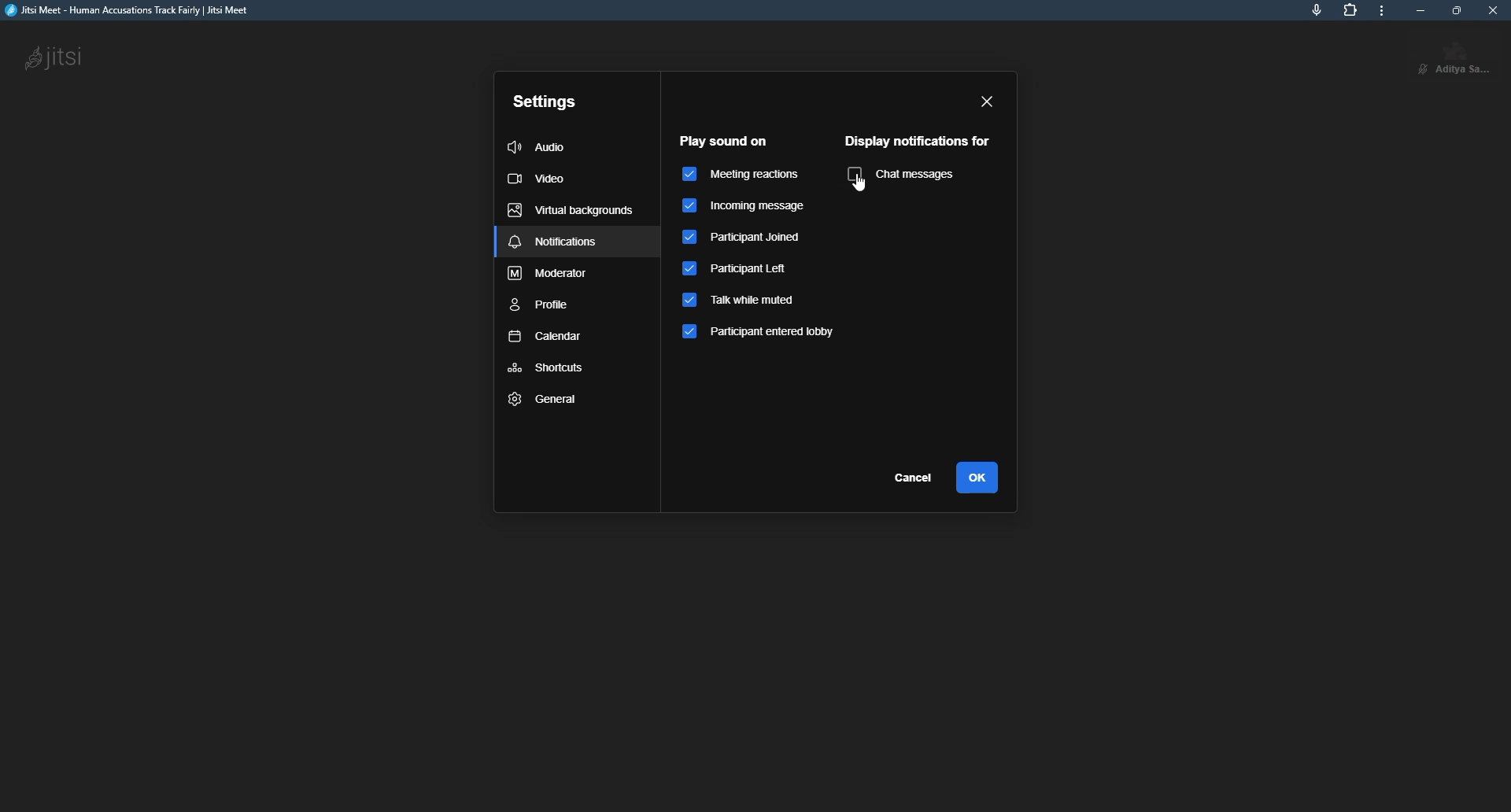 This screenshot has width=1511, height=812. What do you see at coordinates (988, 102) in the screenshot?
I see `close` at bounding box center [988, 102].